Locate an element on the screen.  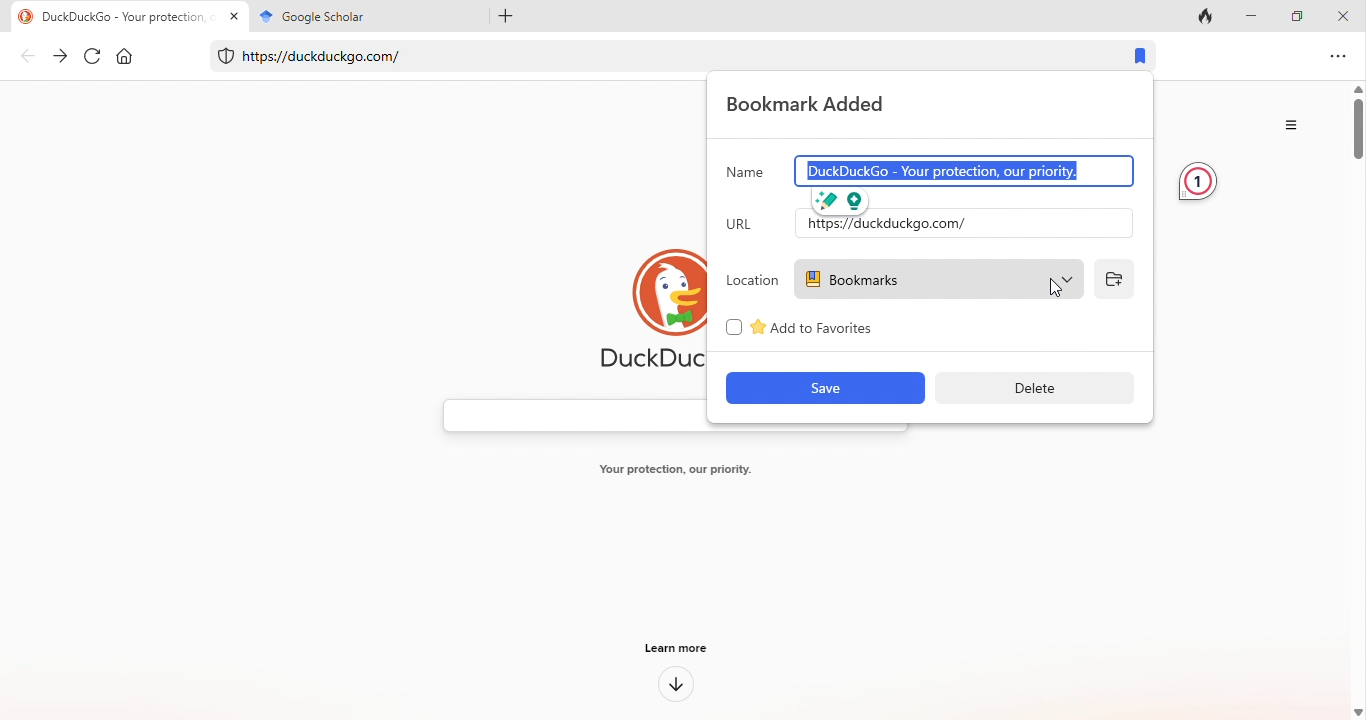
option is located at coordinates (1295, 125).